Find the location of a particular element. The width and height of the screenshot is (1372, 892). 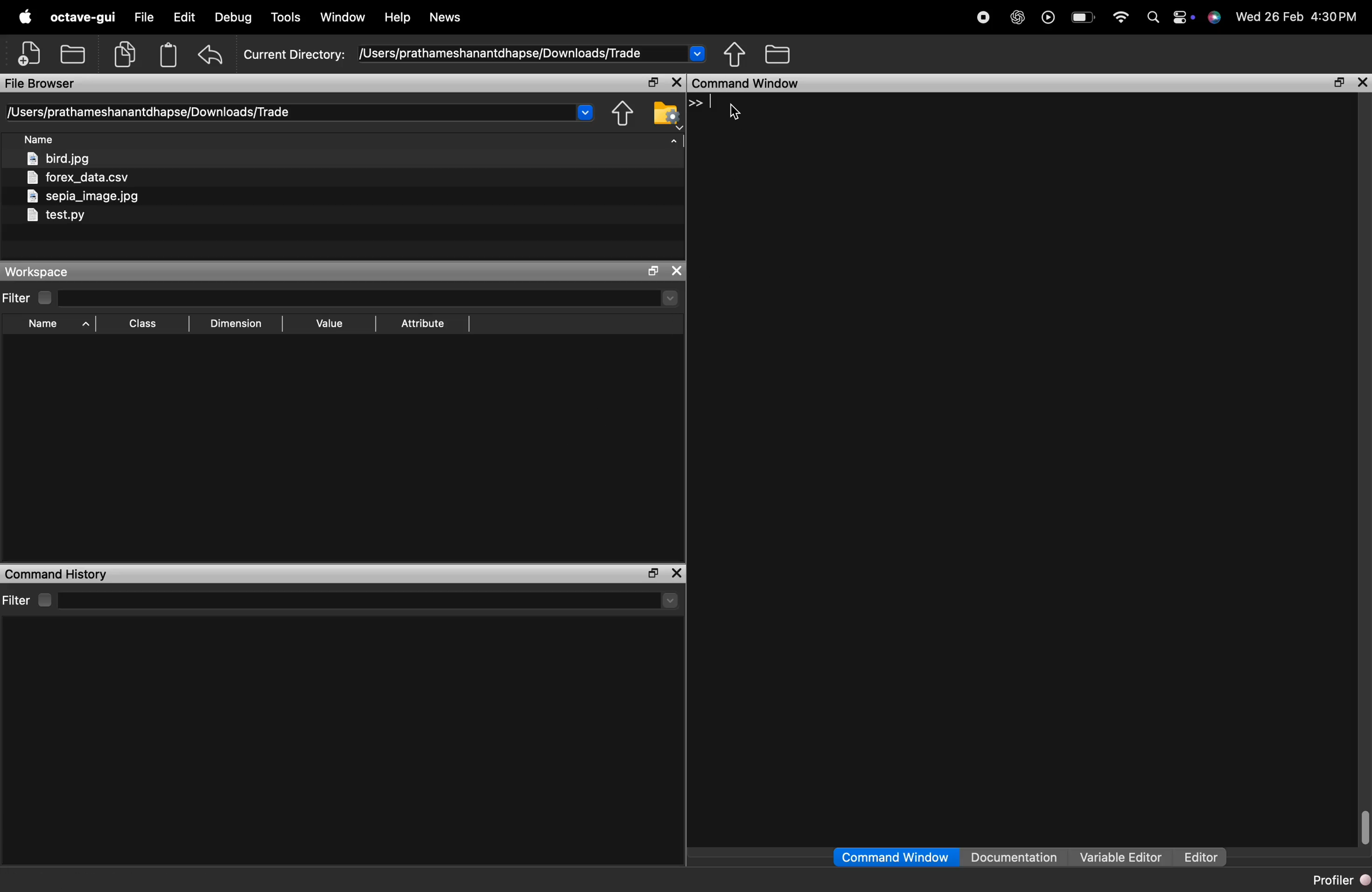

folder settings is located at coordinates (666, 114).